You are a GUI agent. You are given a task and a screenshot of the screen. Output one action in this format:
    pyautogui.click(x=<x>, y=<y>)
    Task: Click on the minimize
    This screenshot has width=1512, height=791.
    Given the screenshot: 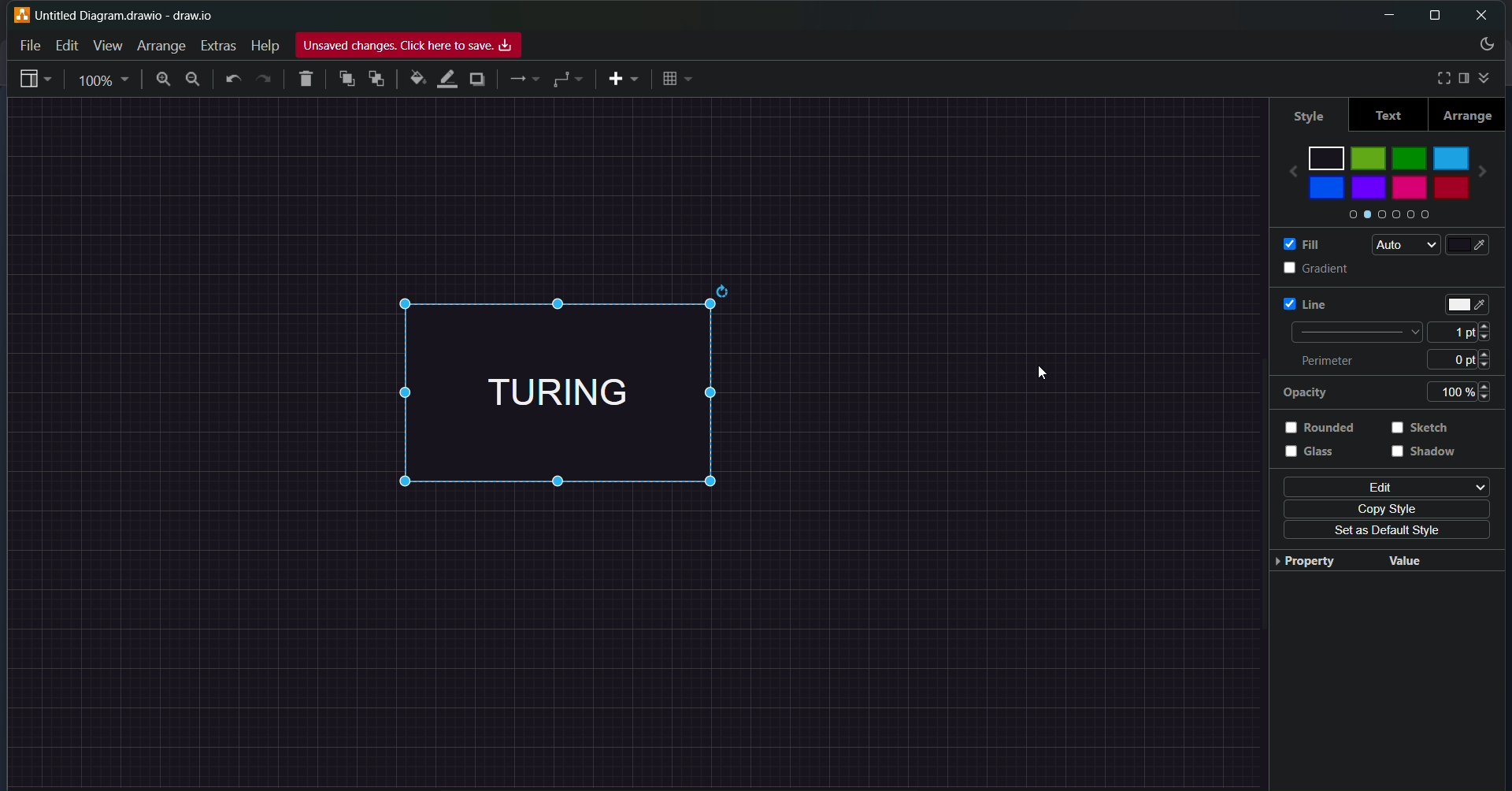 What is the action you would take?
    pyautogui.click(x=1384, y=15)
    